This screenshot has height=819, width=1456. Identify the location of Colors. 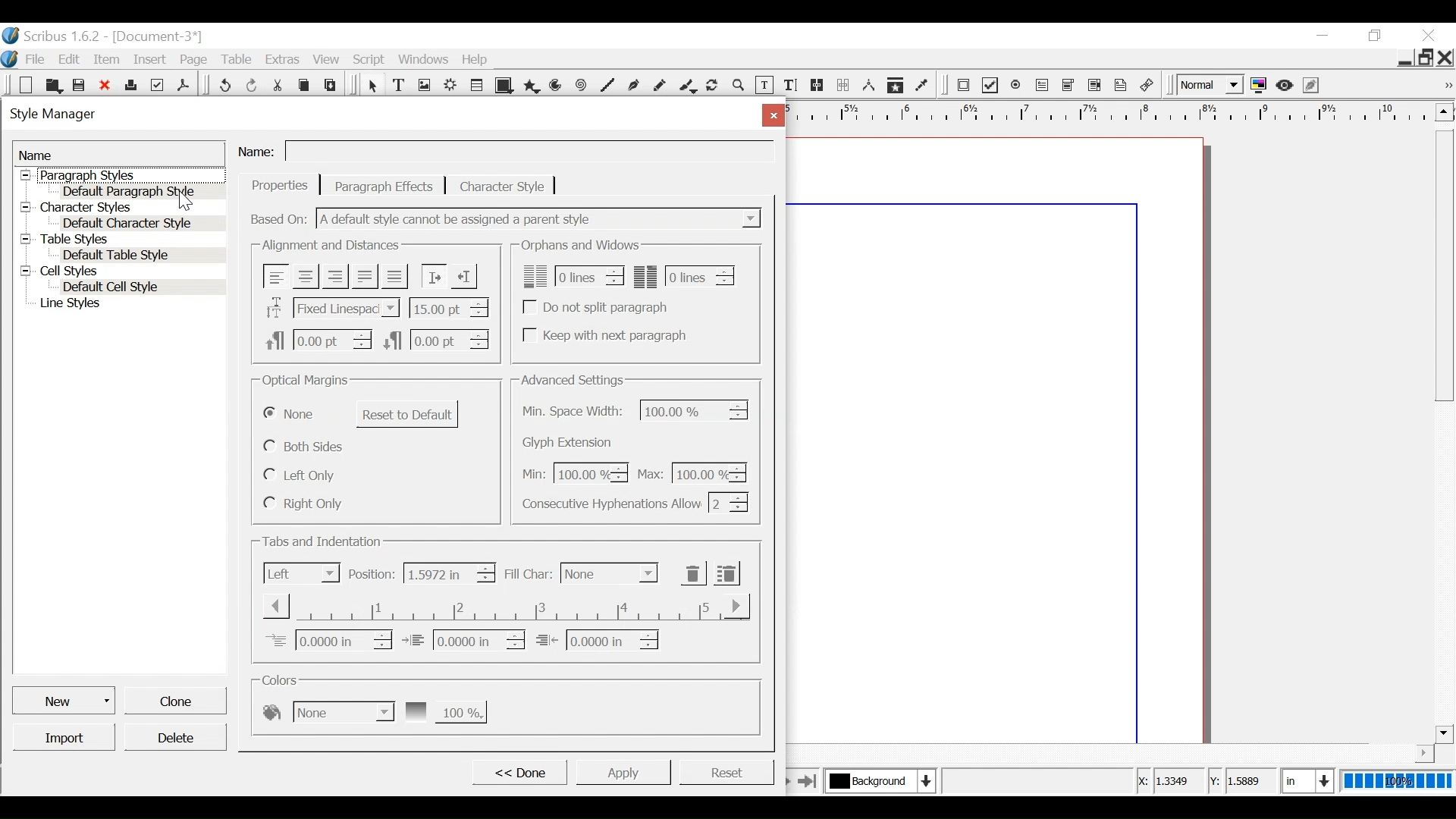
(284, 680).